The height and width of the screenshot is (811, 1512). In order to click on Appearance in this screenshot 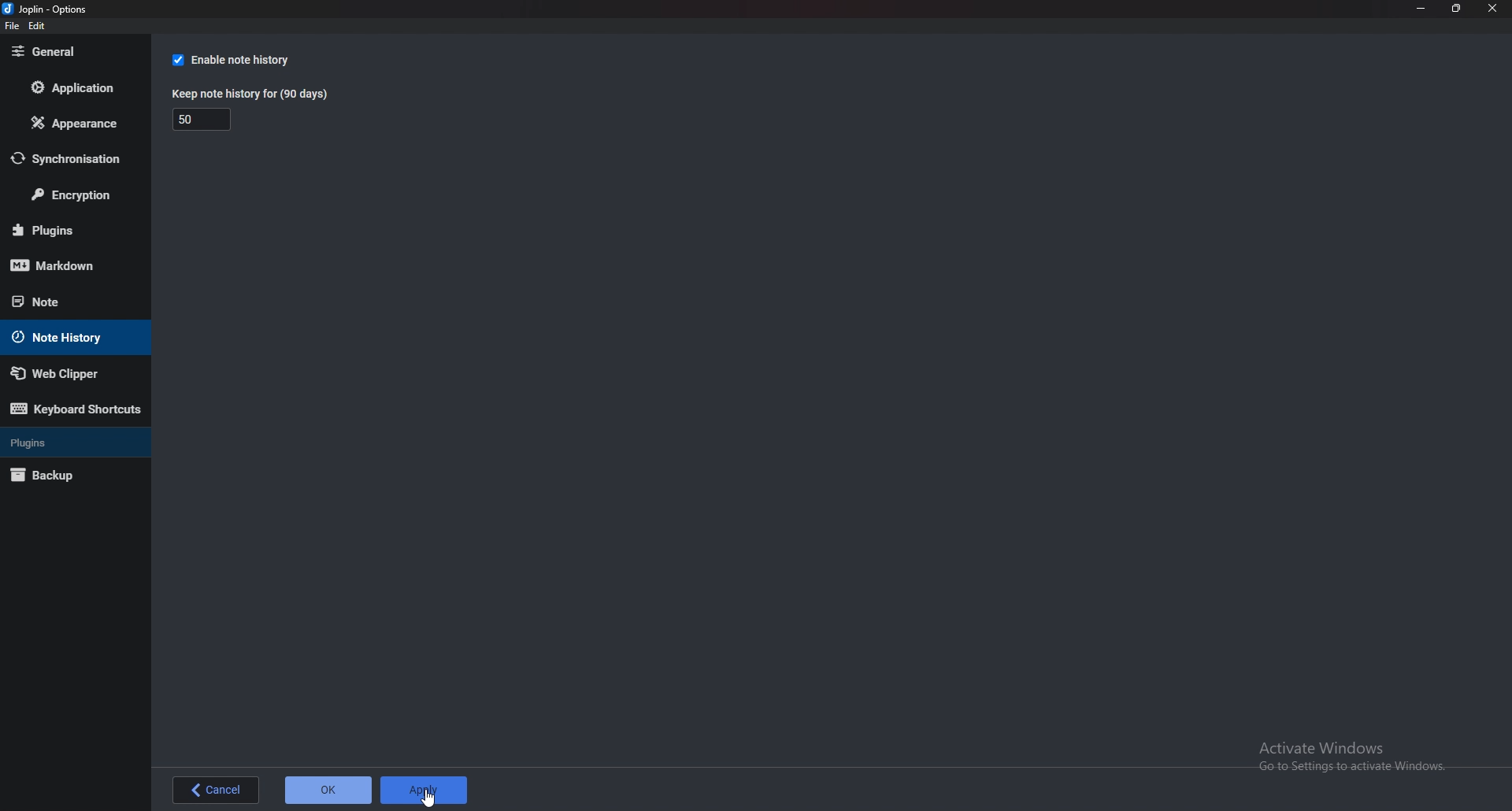, I will do `click(71, 127)`.